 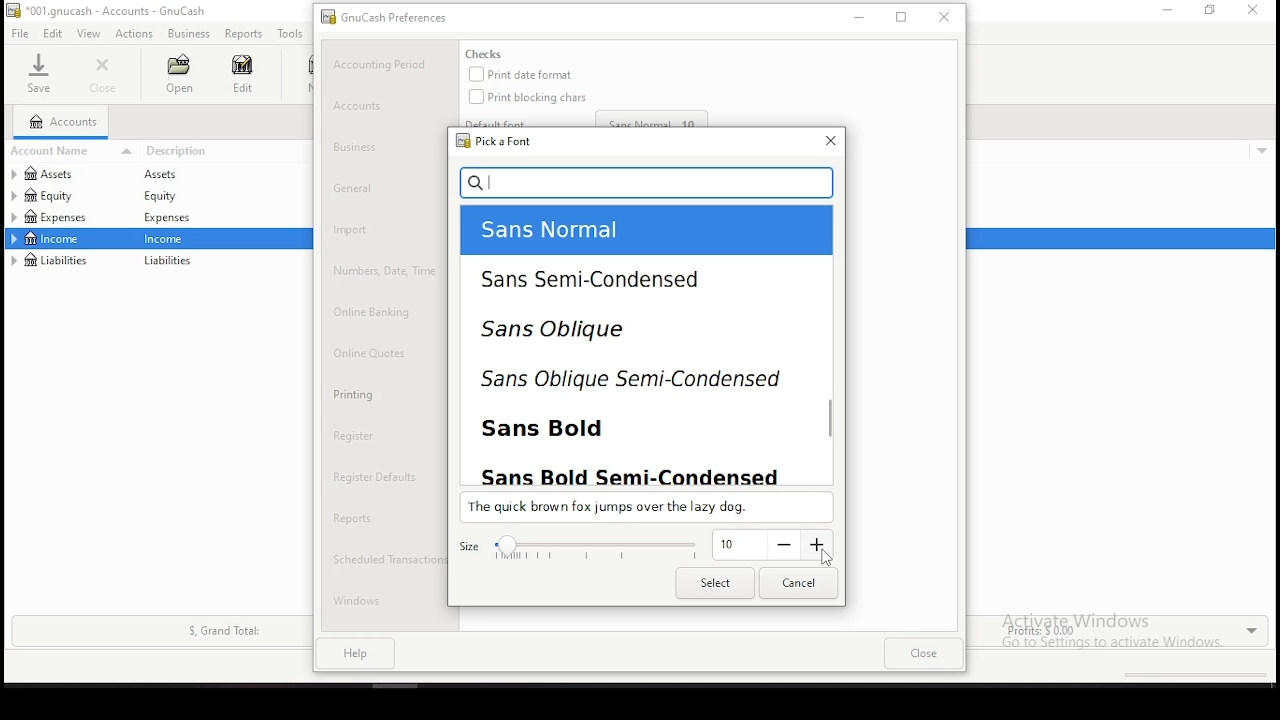 I want to click on tools, so click(x=291, y=33).